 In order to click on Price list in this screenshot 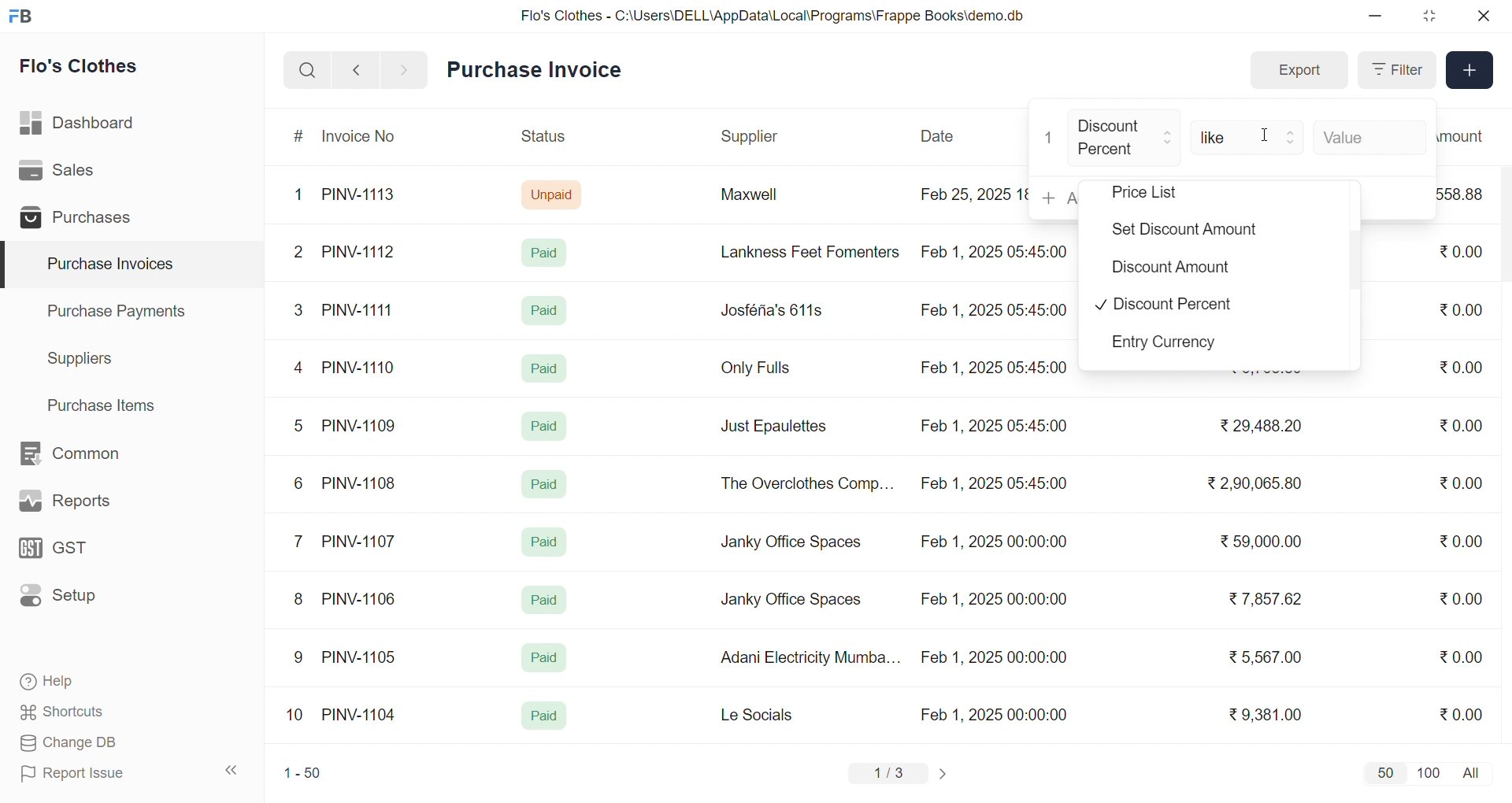, I will do `click(1167, 193)`.